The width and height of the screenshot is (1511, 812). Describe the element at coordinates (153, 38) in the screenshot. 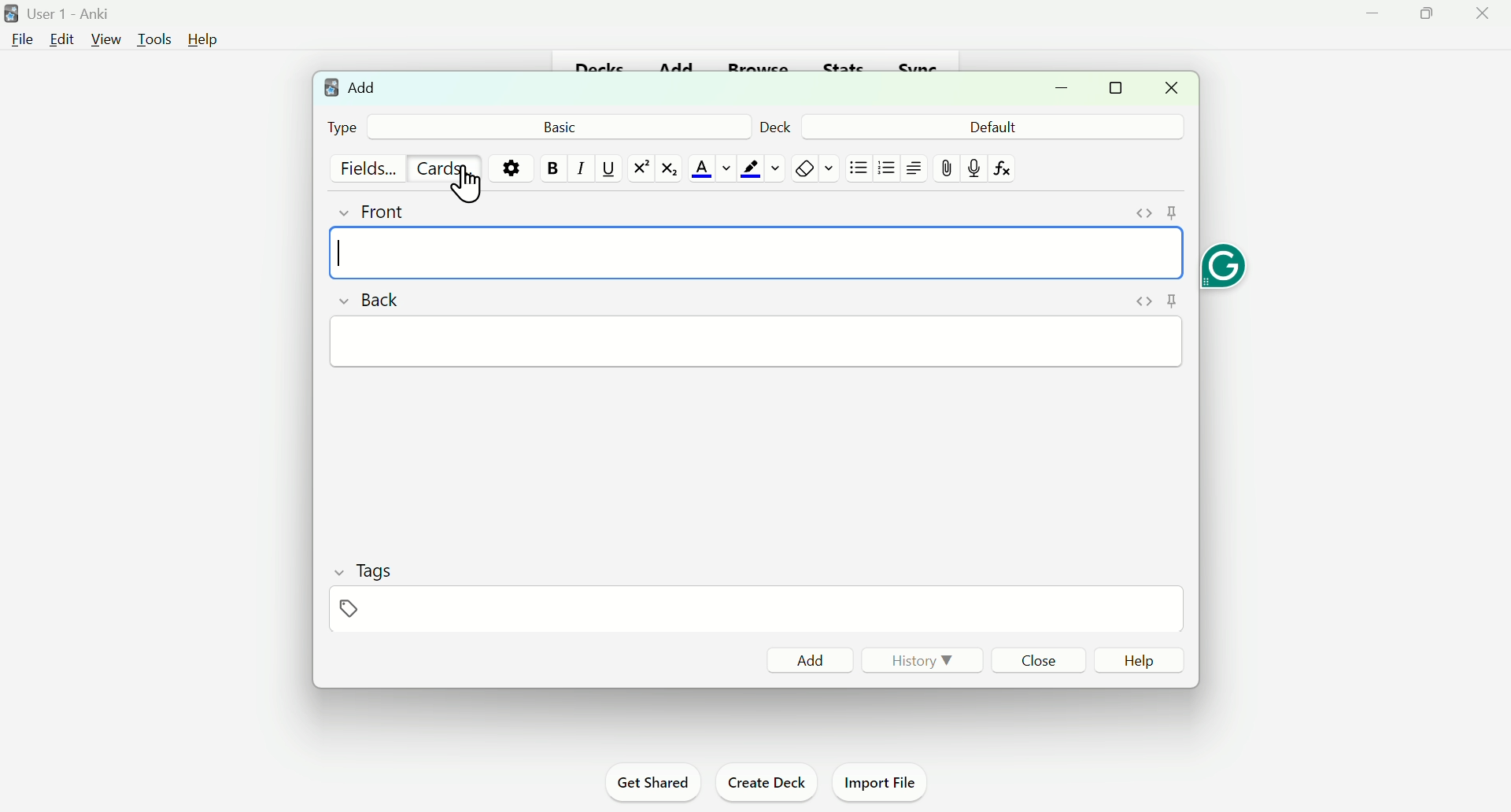

I see `Tools` at that location.